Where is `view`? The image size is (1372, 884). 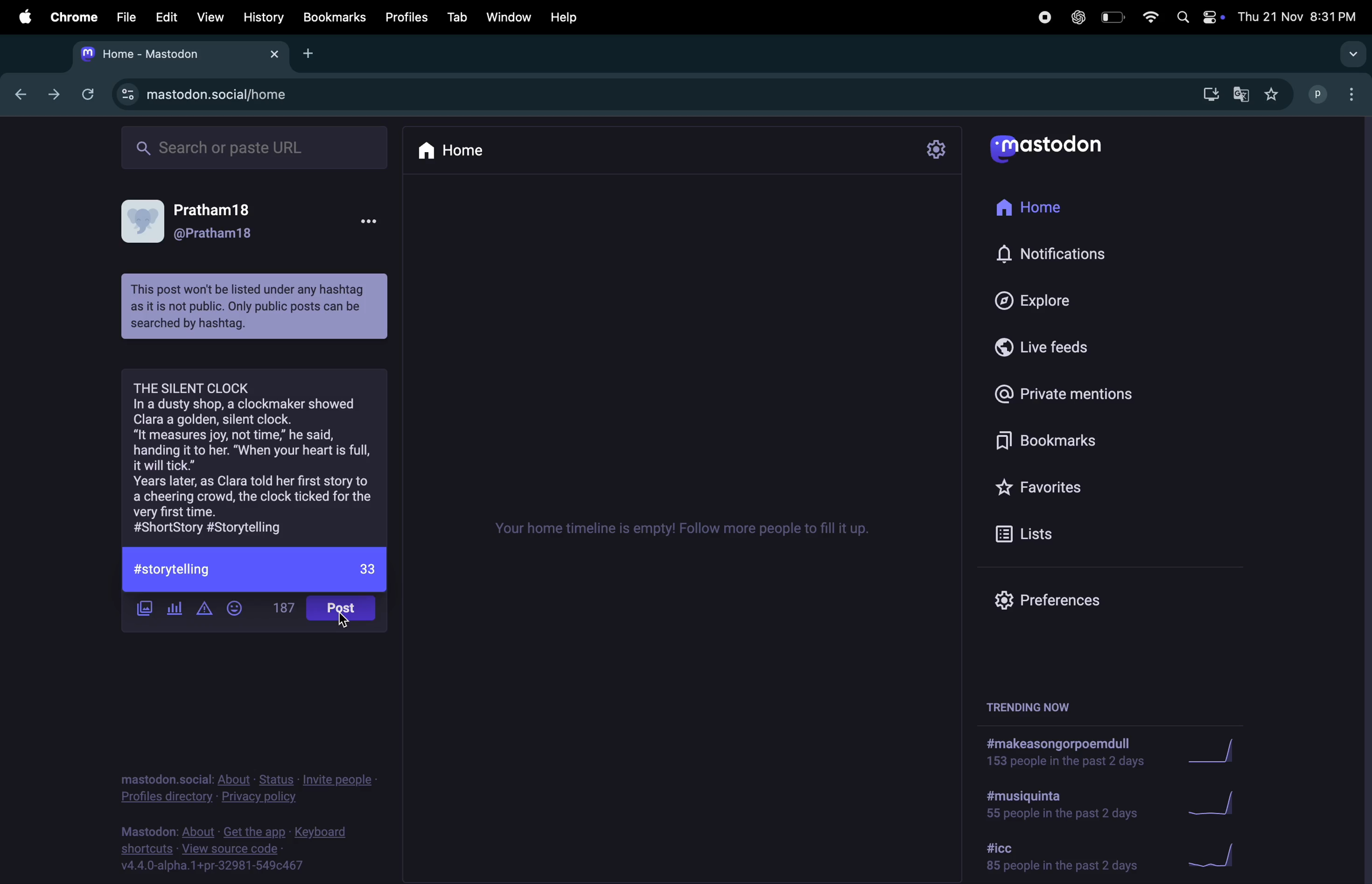
view is located at coordinates (209, 15).